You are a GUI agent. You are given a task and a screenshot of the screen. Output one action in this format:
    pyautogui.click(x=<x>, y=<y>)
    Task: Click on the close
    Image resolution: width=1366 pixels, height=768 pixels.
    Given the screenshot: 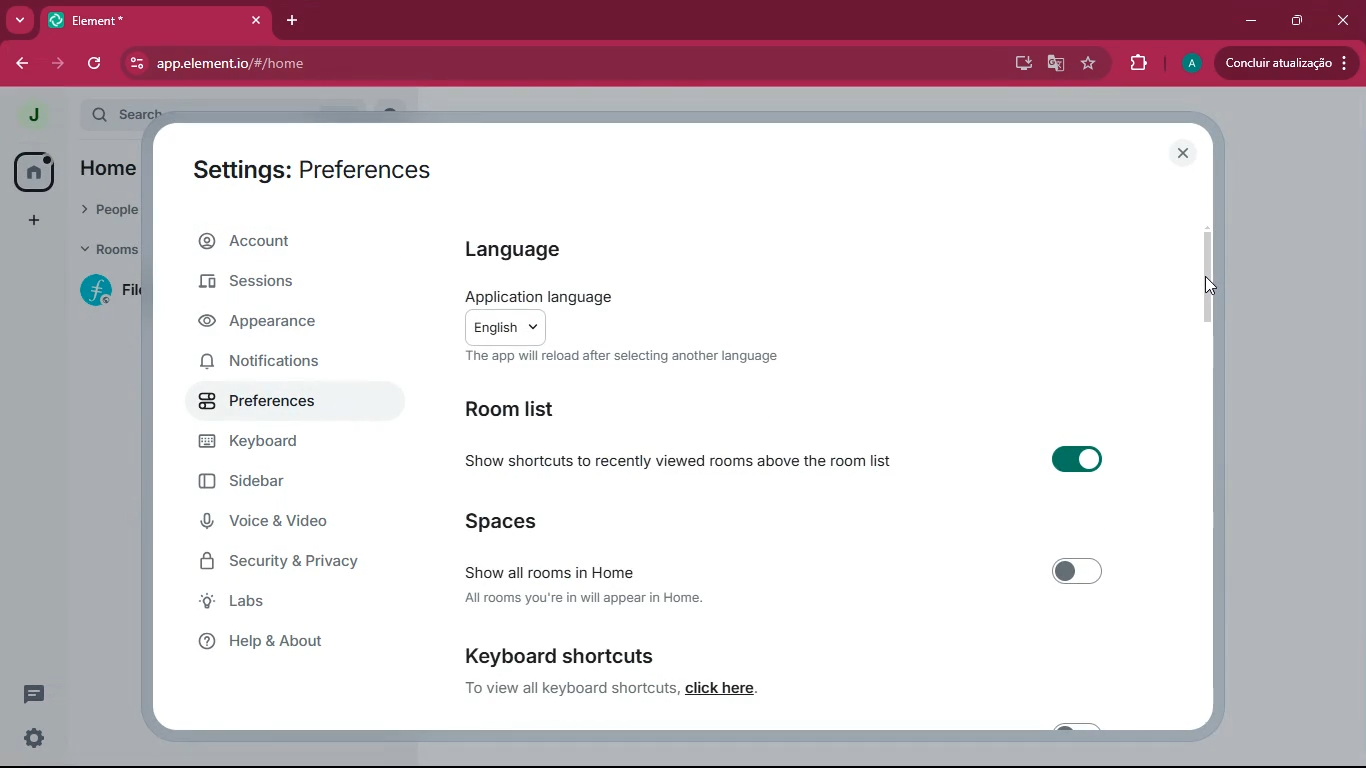 What is the action you would take?
    pyautogui.click(x=1182, y=151)
    